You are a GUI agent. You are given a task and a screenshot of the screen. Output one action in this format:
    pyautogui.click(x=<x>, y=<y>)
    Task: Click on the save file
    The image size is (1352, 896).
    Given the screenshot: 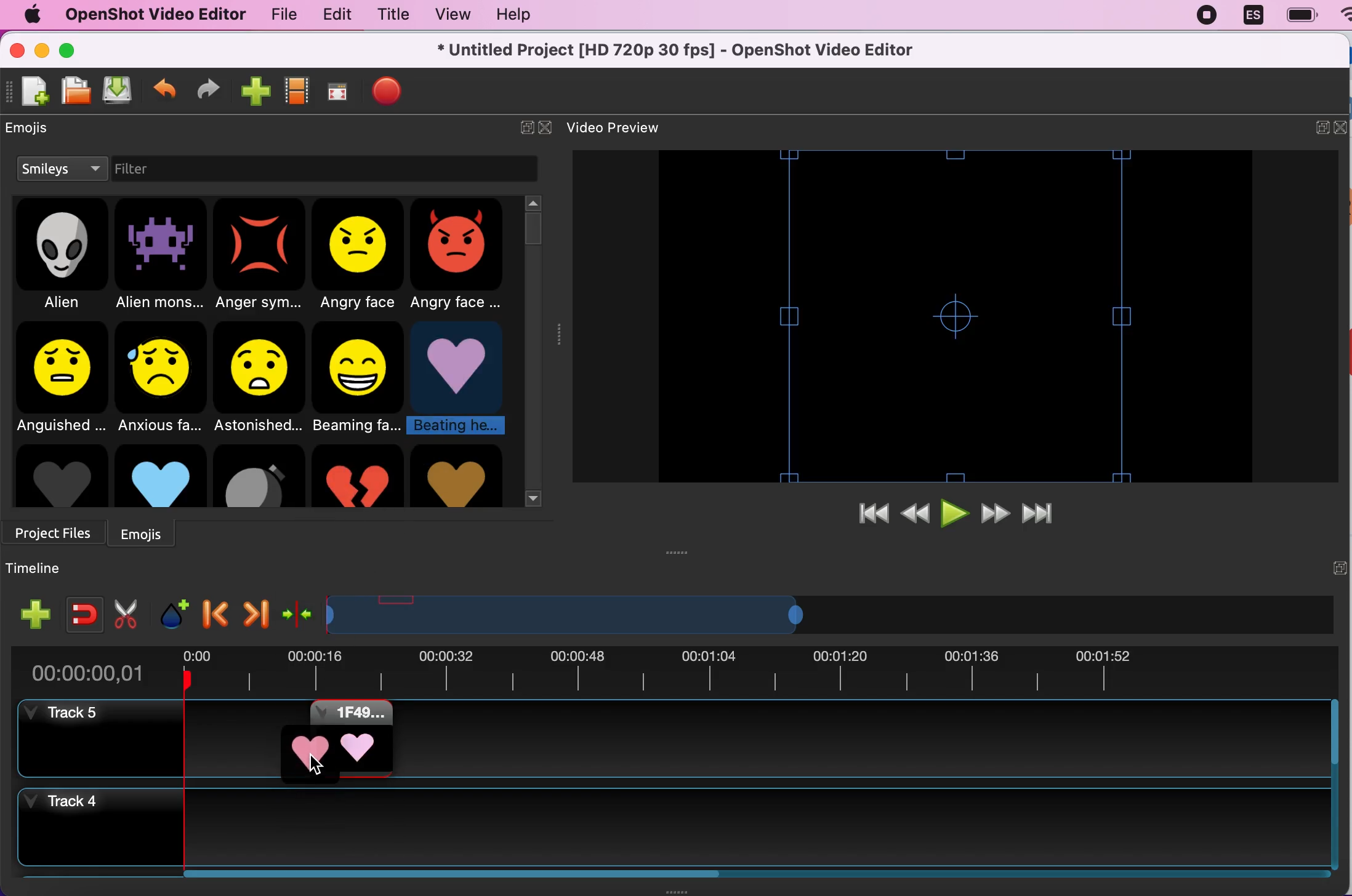 What is the action you would take?
    pyautogui.click(x=118, y=91)
    